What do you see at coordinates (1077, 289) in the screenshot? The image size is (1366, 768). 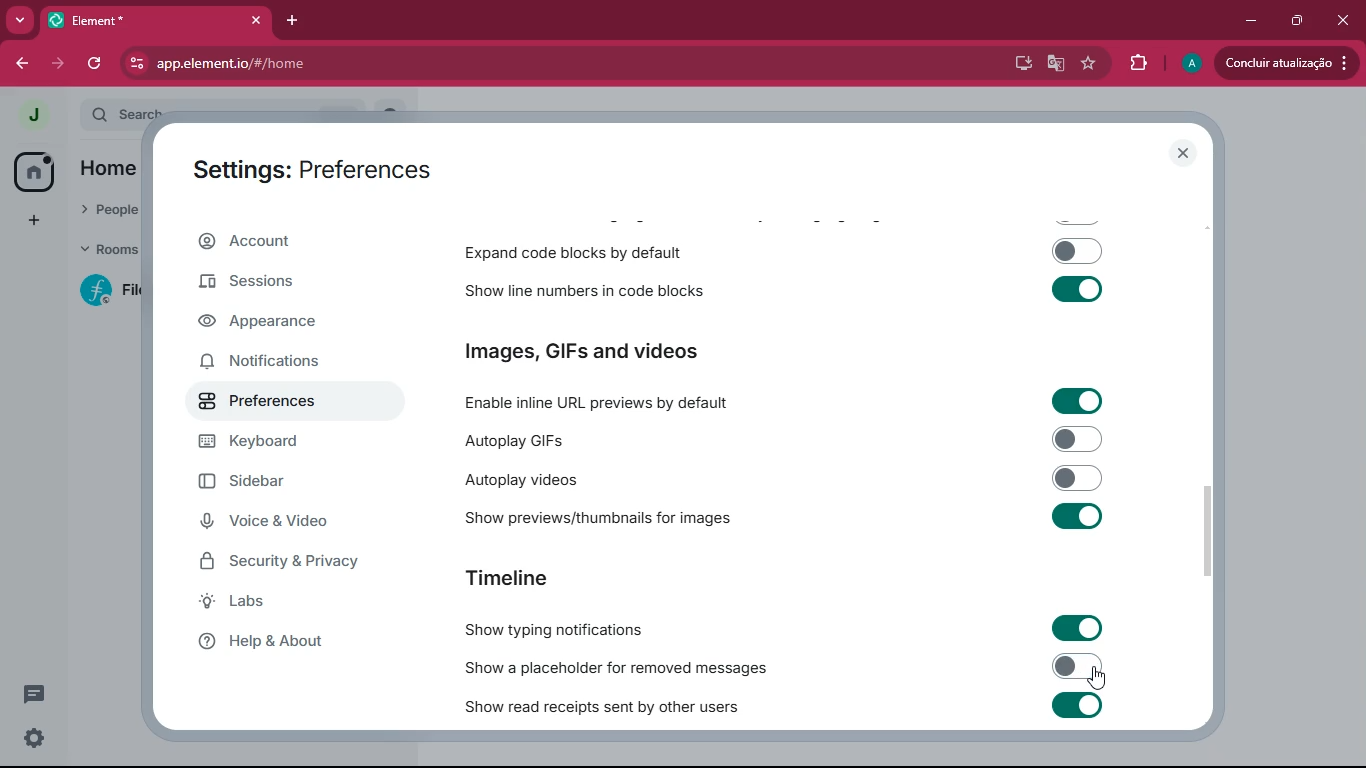 I see `toggle on/off` at bounding box center [1077, 289].